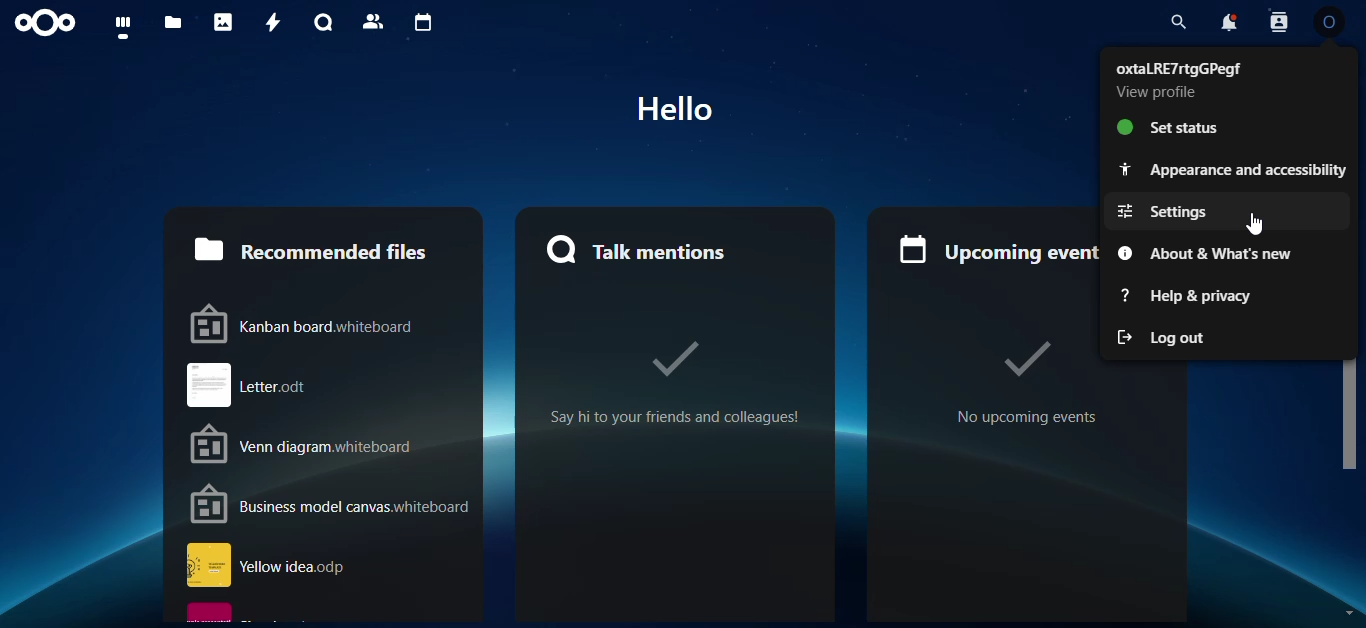 The width and height of the screenshot is (1366, 628). Describe the element at coordinates (1230, 21) in the screenshot. I see `notification` at that location.